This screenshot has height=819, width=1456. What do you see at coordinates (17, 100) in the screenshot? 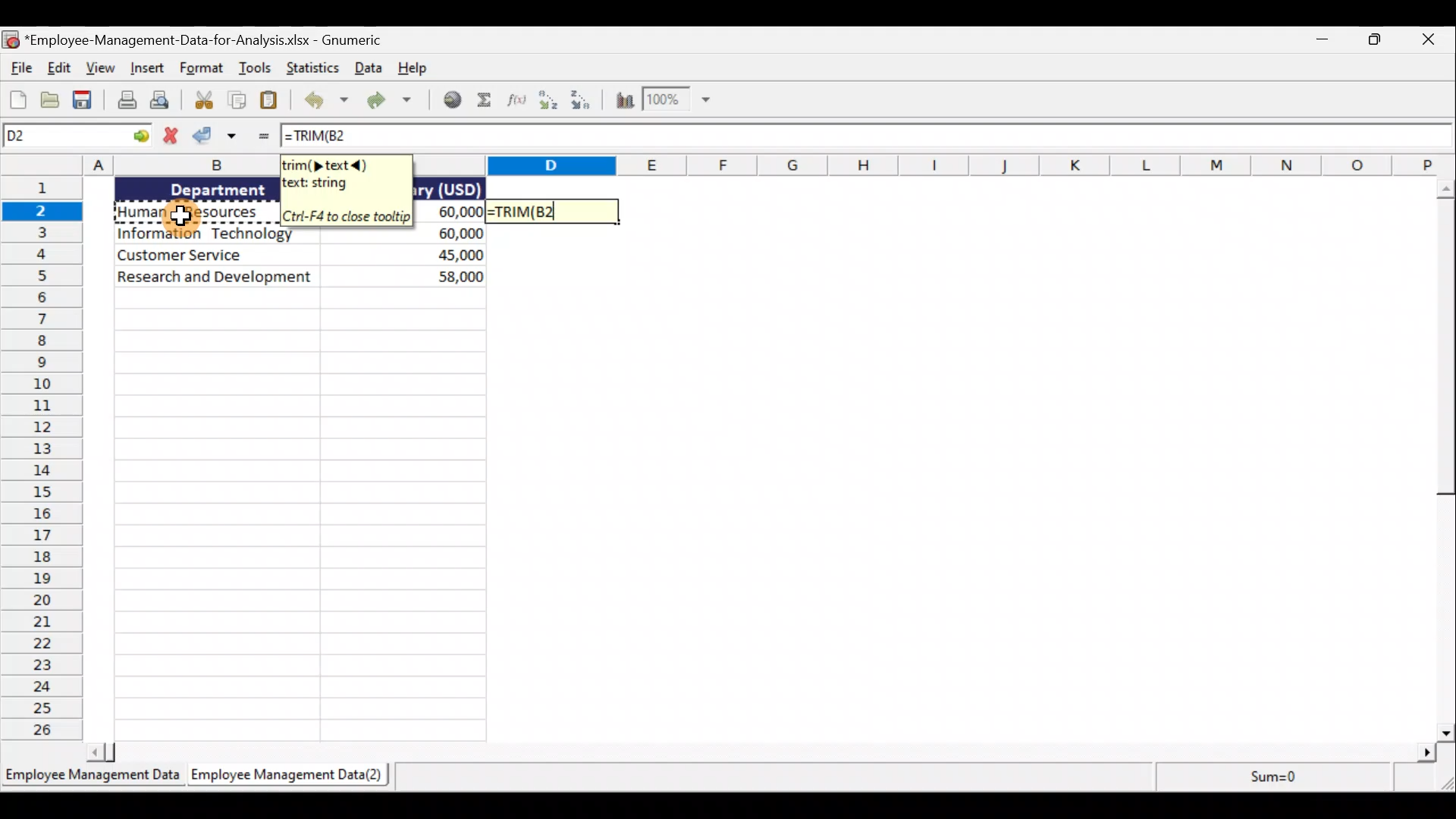
I see `Create a new workbook` at bounding box center [17, 100].